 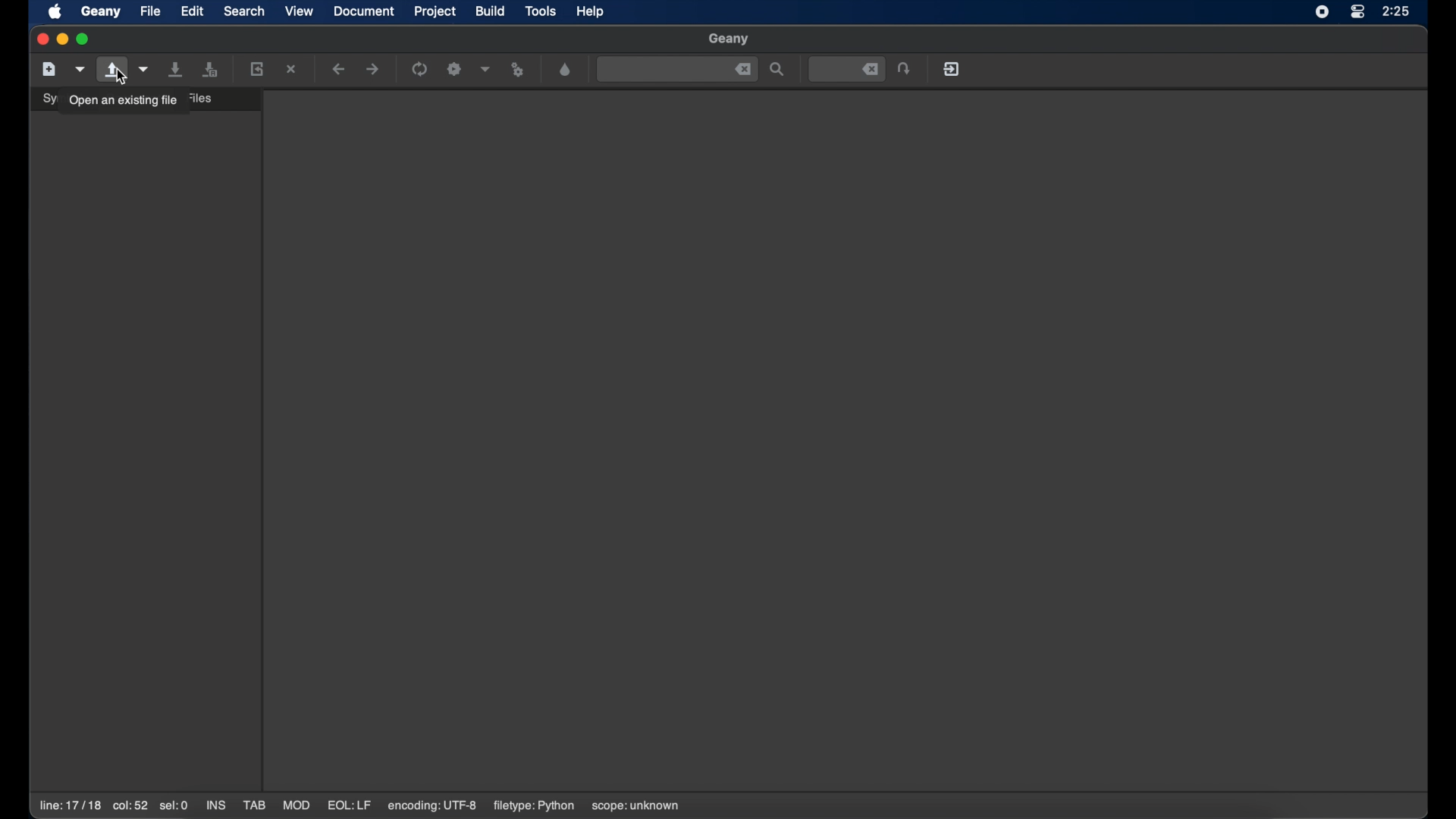 What do you see at coordinates (81, 69) in the screenshot?
I see `create file from template` at bounding box center [81, 69].